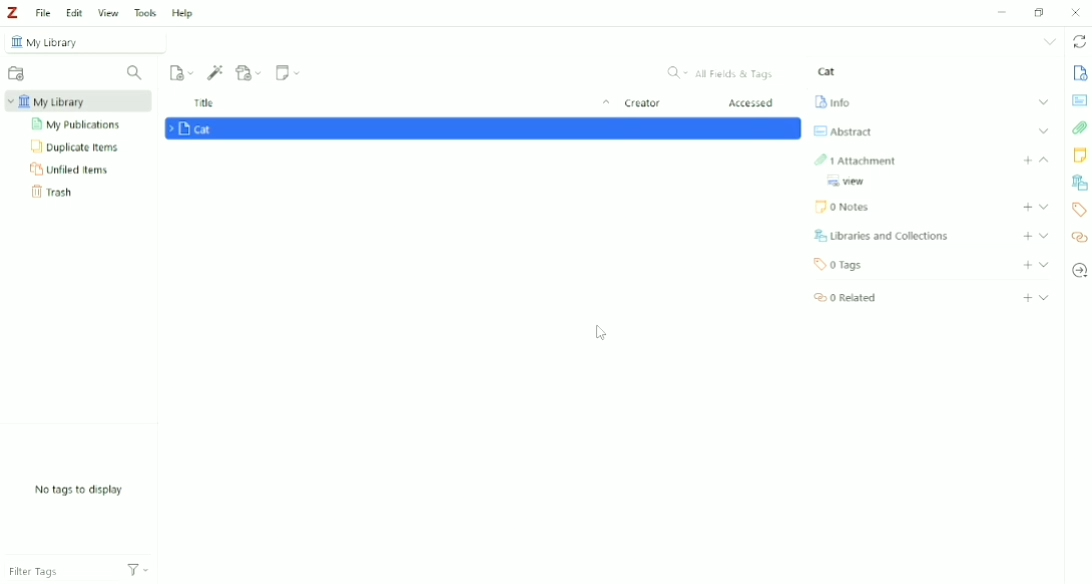 The image size is (1092, 584). I want to click on Libraries and Collections, so click(878, 235).